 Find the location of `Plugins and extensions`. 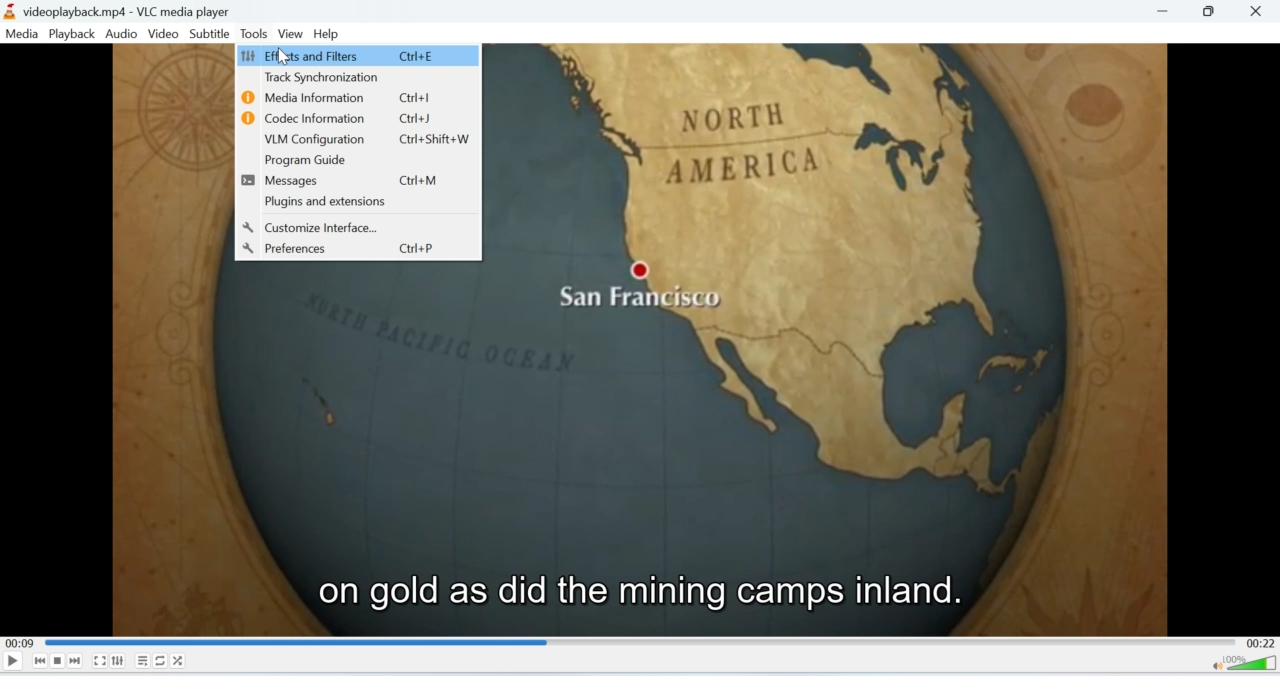

Plugins and extensions is located at coordinates (325, 203).